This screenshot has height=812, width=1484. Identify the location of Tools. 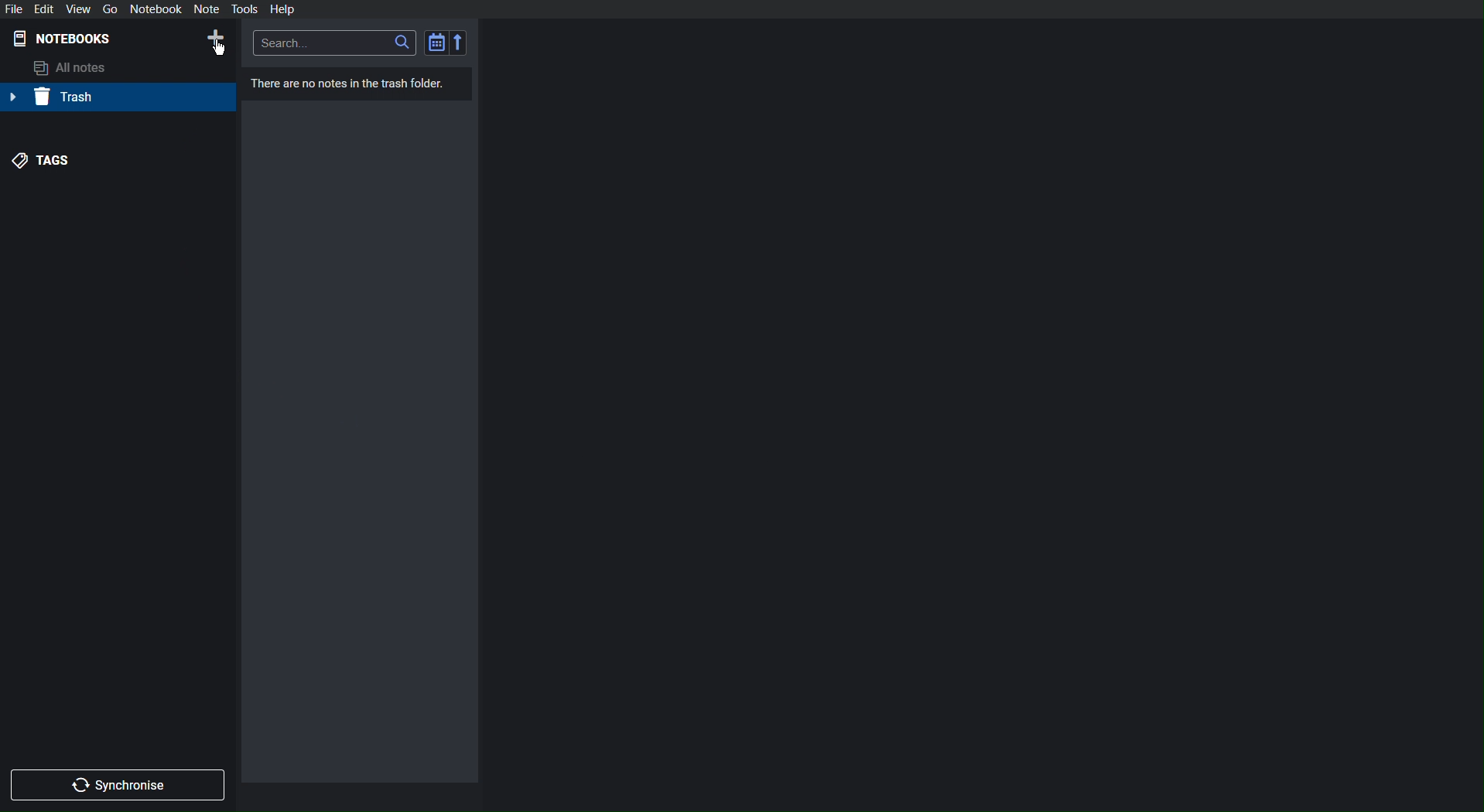
(244, 9).